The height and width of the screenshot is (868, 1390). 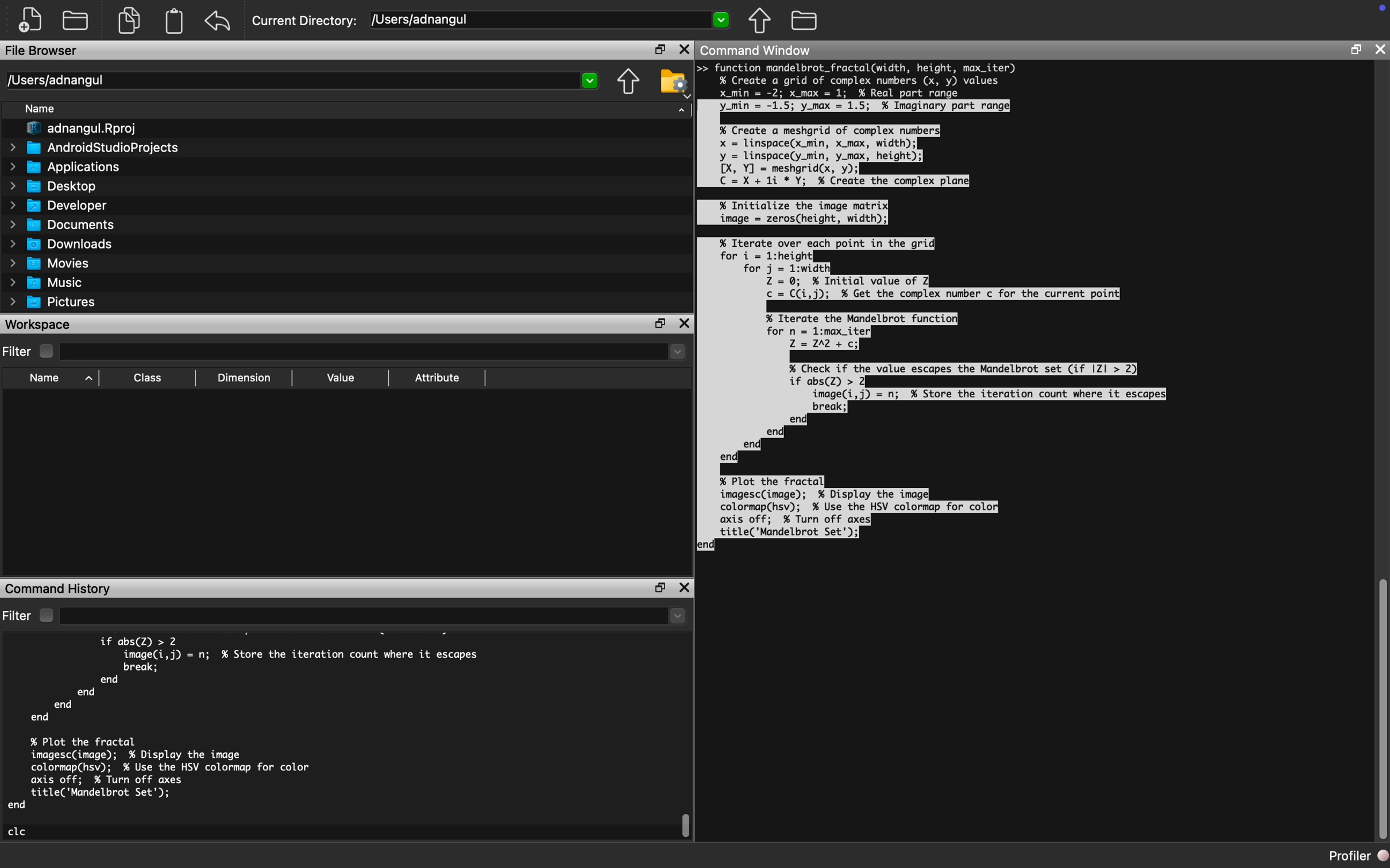 What do you see at coordinates (63, 243) in the screenshot?
I see `Downloads` at bounding box center [63, 243].